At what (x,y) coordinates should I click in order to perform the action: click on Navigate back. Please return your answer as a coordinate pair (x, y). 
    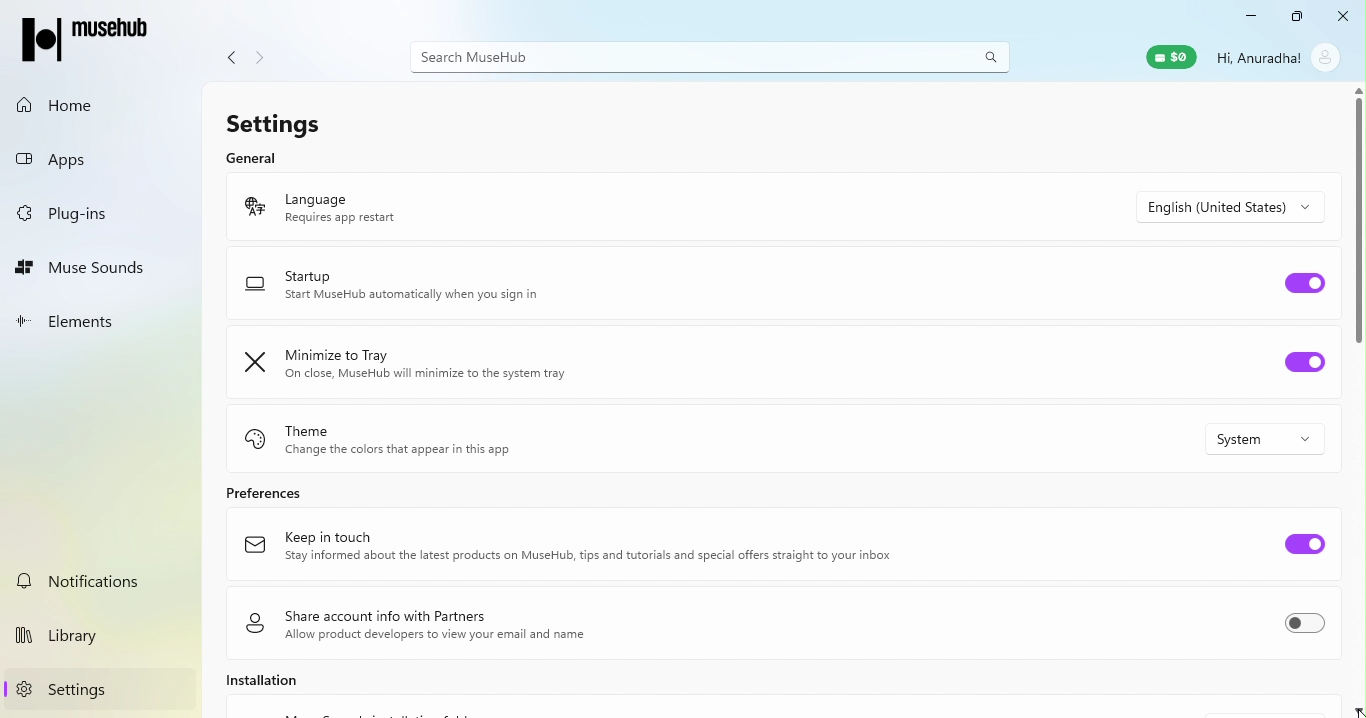
    Looking at the image, I should click on (231, 60).